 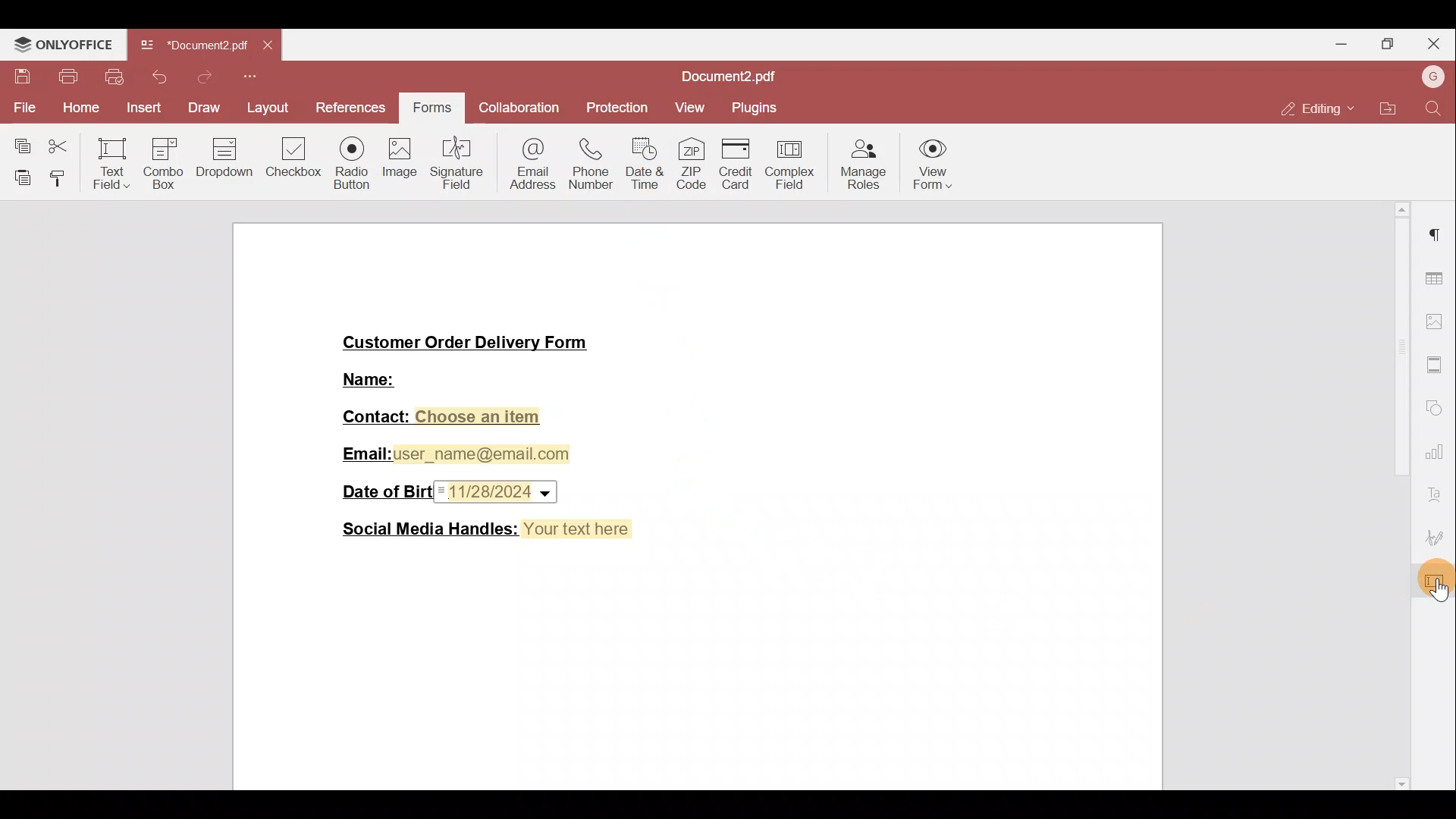 What do you see at coordinates (1389, 109) in the screenshot?
I see `Open file location` at bounding box center [1389, 109].